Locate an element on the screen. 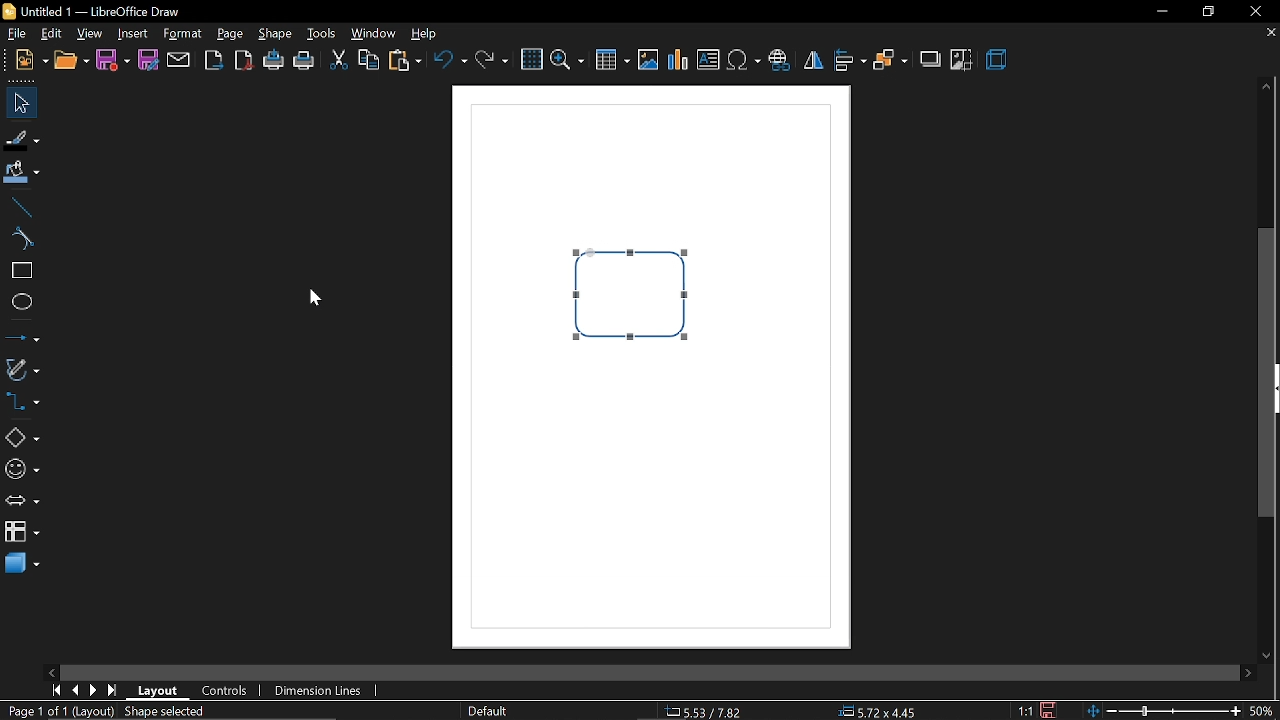 The image size is (1280, 720). insert chart is located at coordinates (677, 61).